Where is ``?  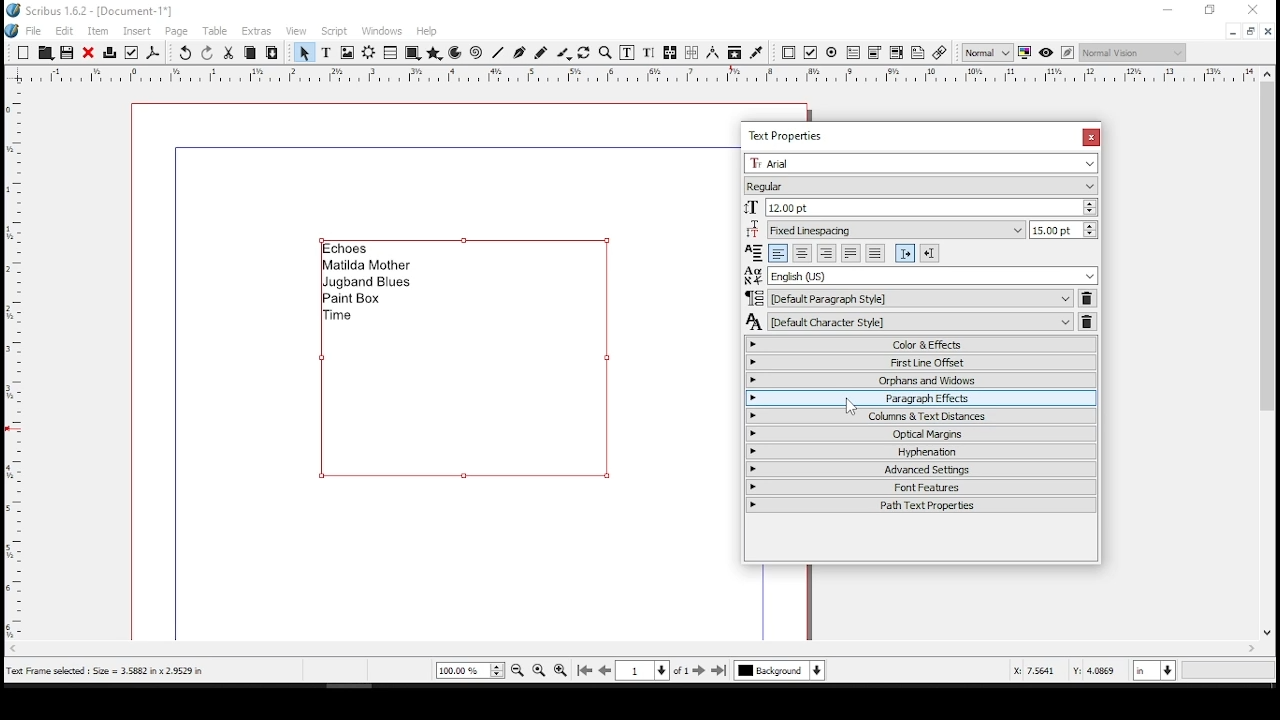
 is located at coordinates (45, 52).